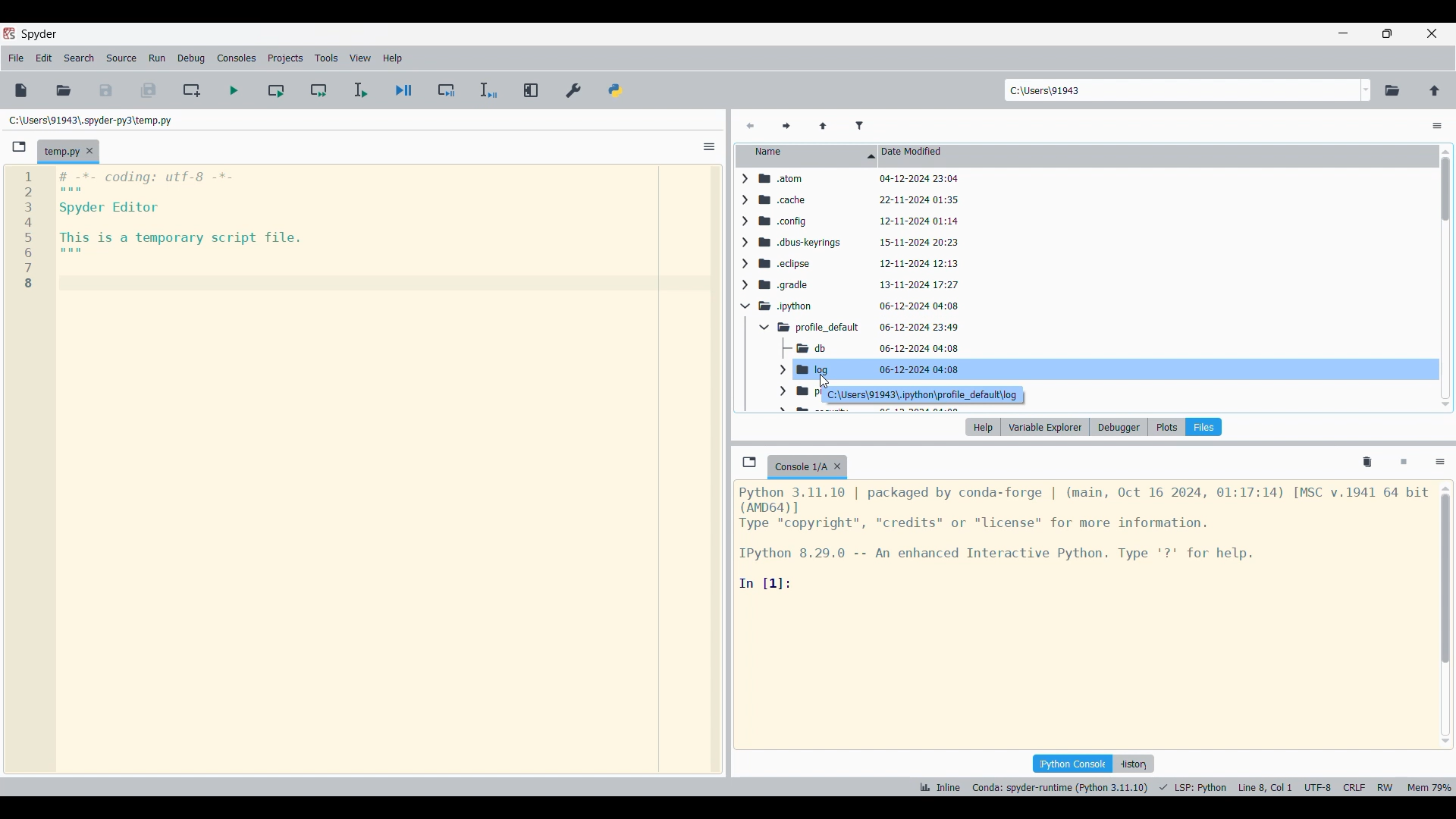 This screenshot has width=1456, height=819. I want to click on Debugger, so click(1119, 427).